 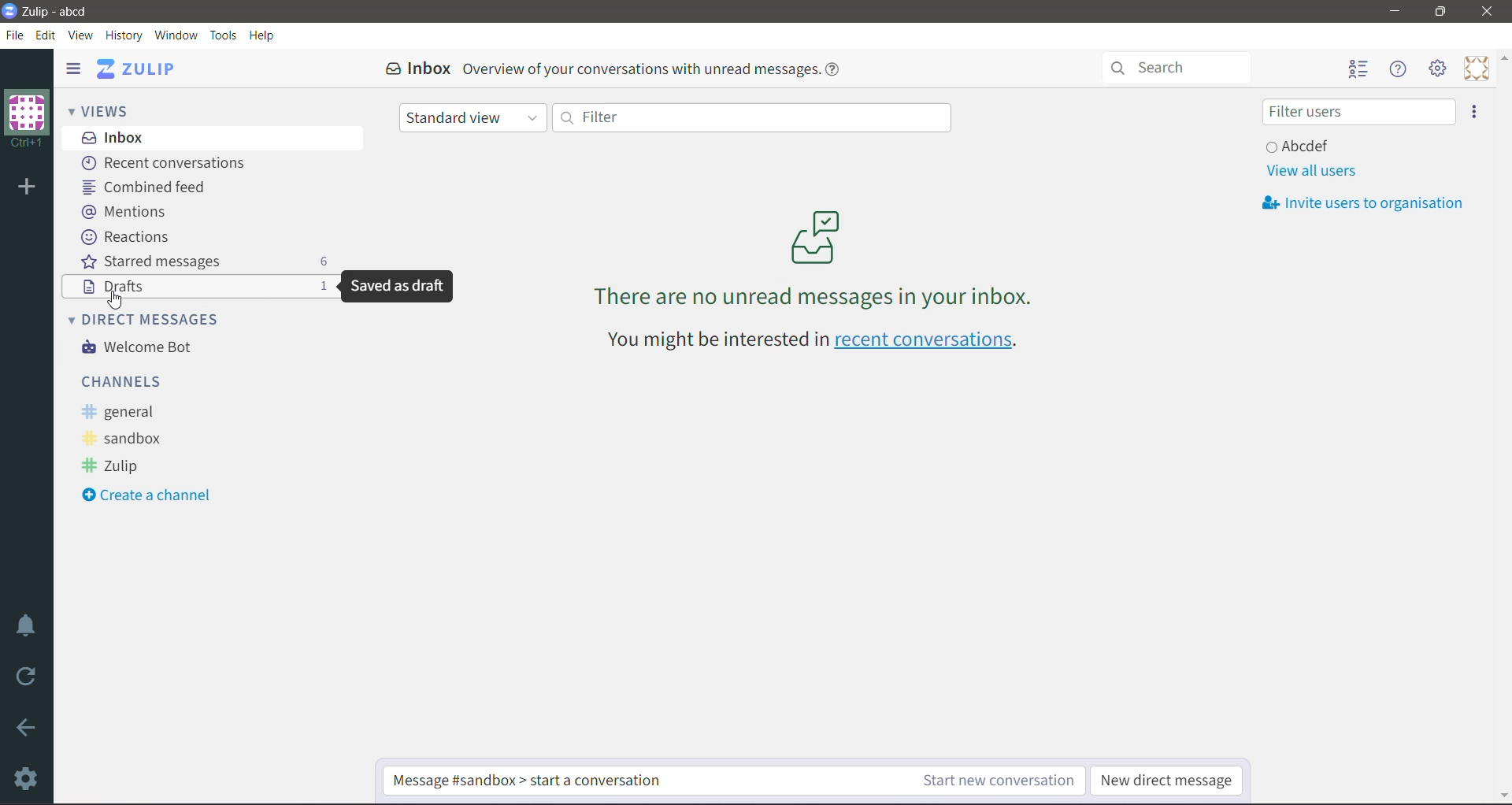 What do you see at coordinates (1439, 69) in the screenshot?
I see `Main Menu` at bounding box center [1439, 69].